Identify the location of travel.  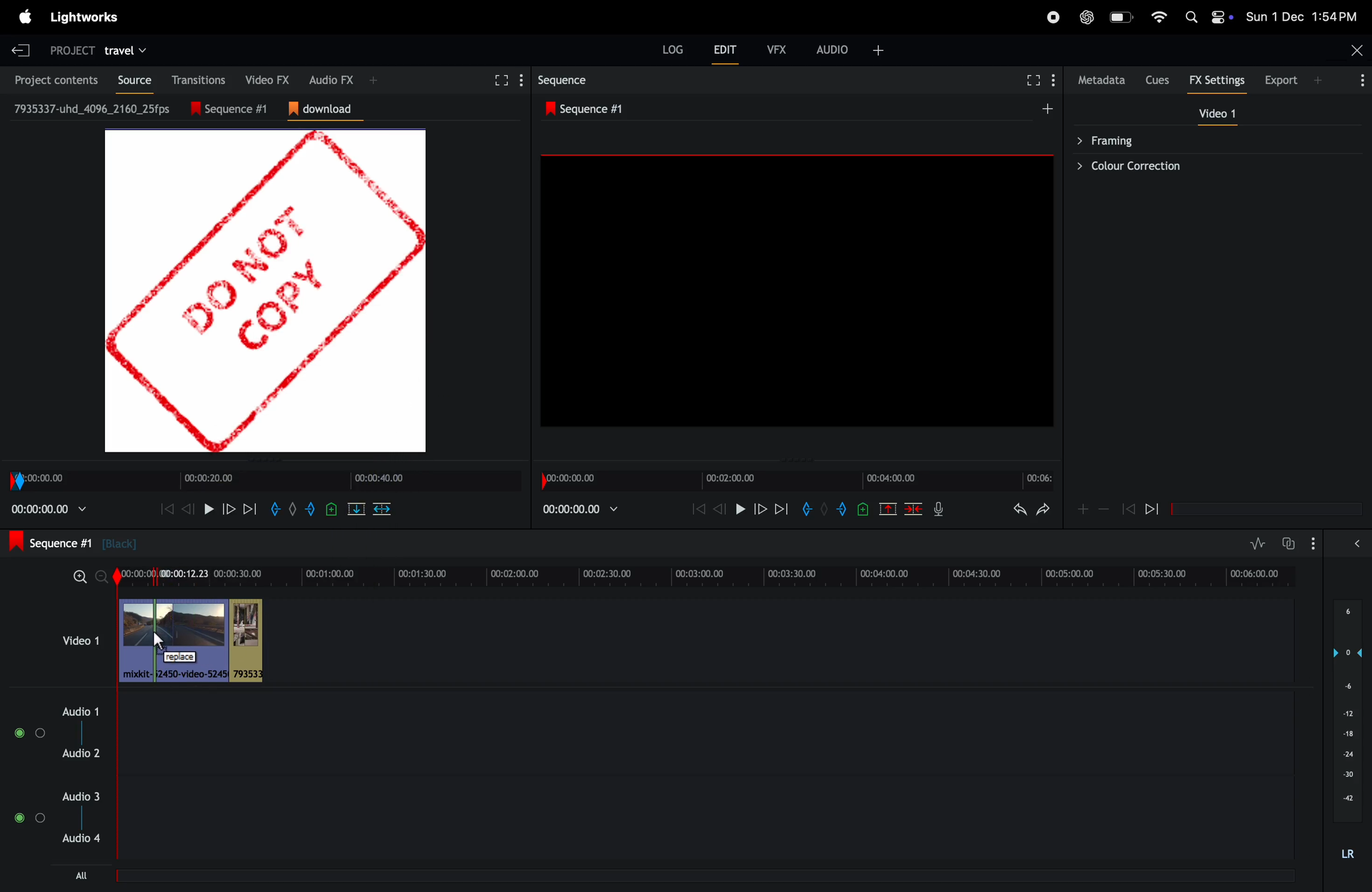
(125, 52).